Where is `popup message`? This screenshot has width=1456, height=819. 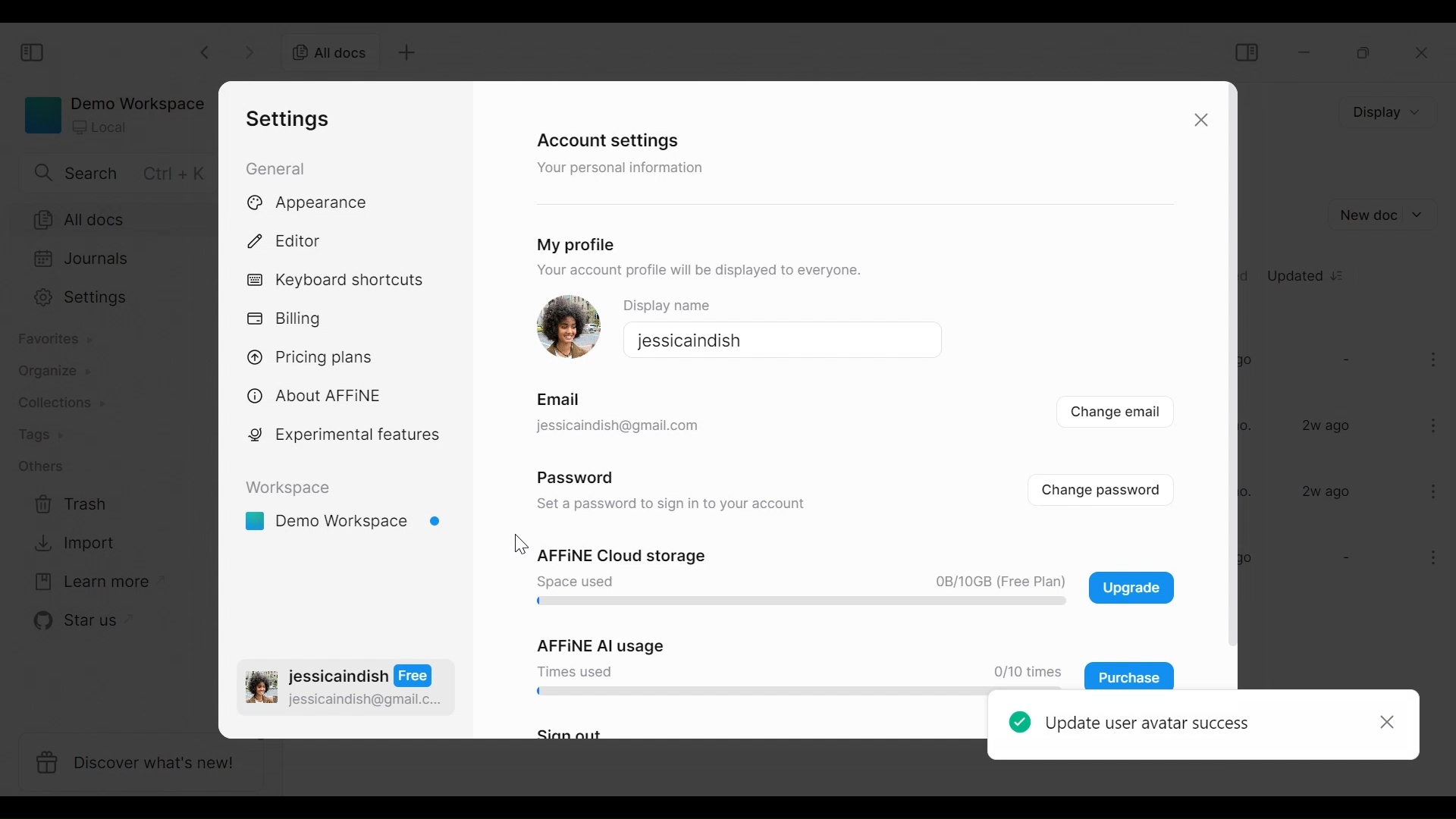 popup message is located at coordinates (1205, 729).